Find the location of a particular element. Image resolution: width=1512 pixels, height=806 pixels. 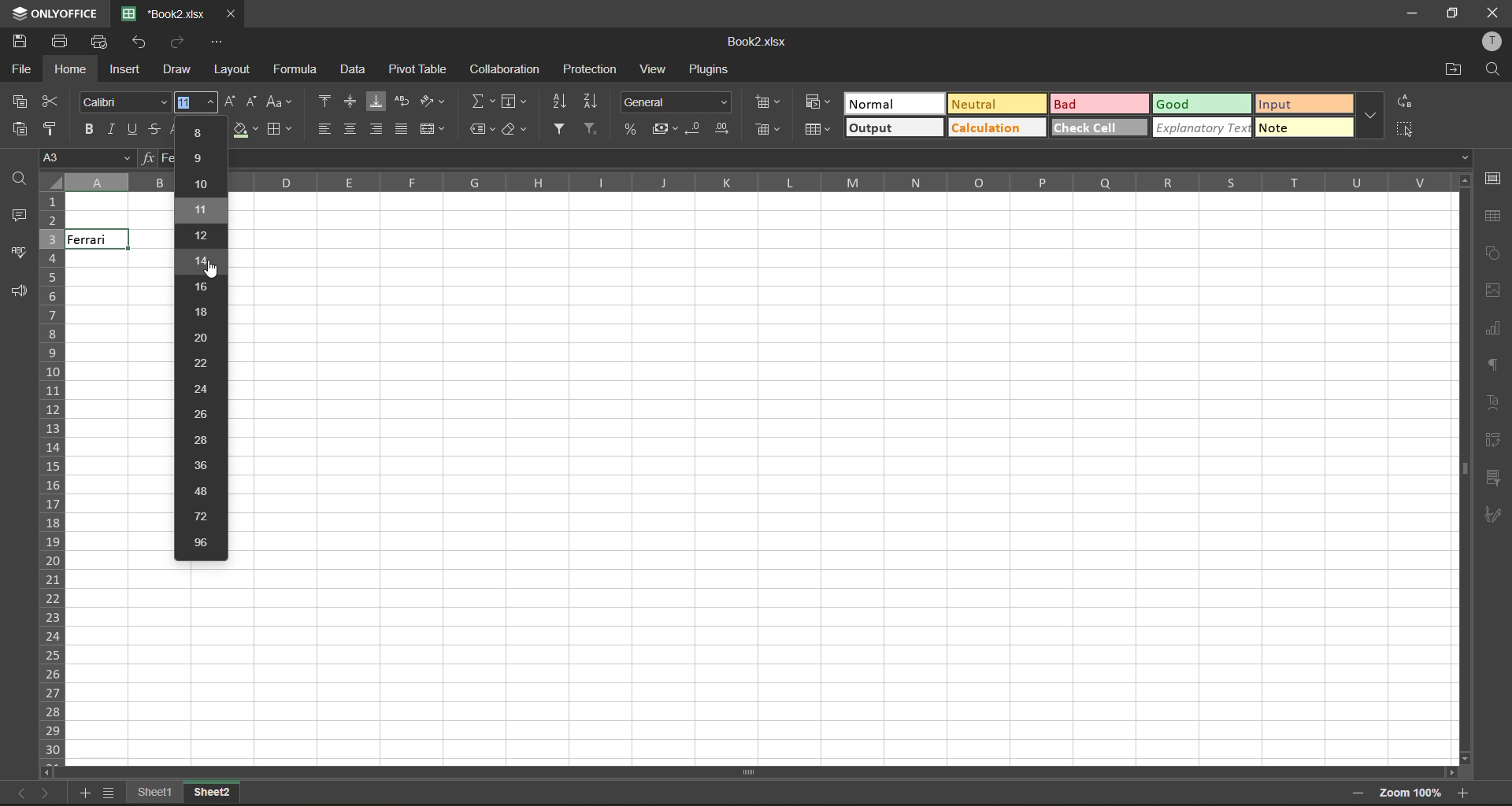

8 is located at coordinates (201, 134).